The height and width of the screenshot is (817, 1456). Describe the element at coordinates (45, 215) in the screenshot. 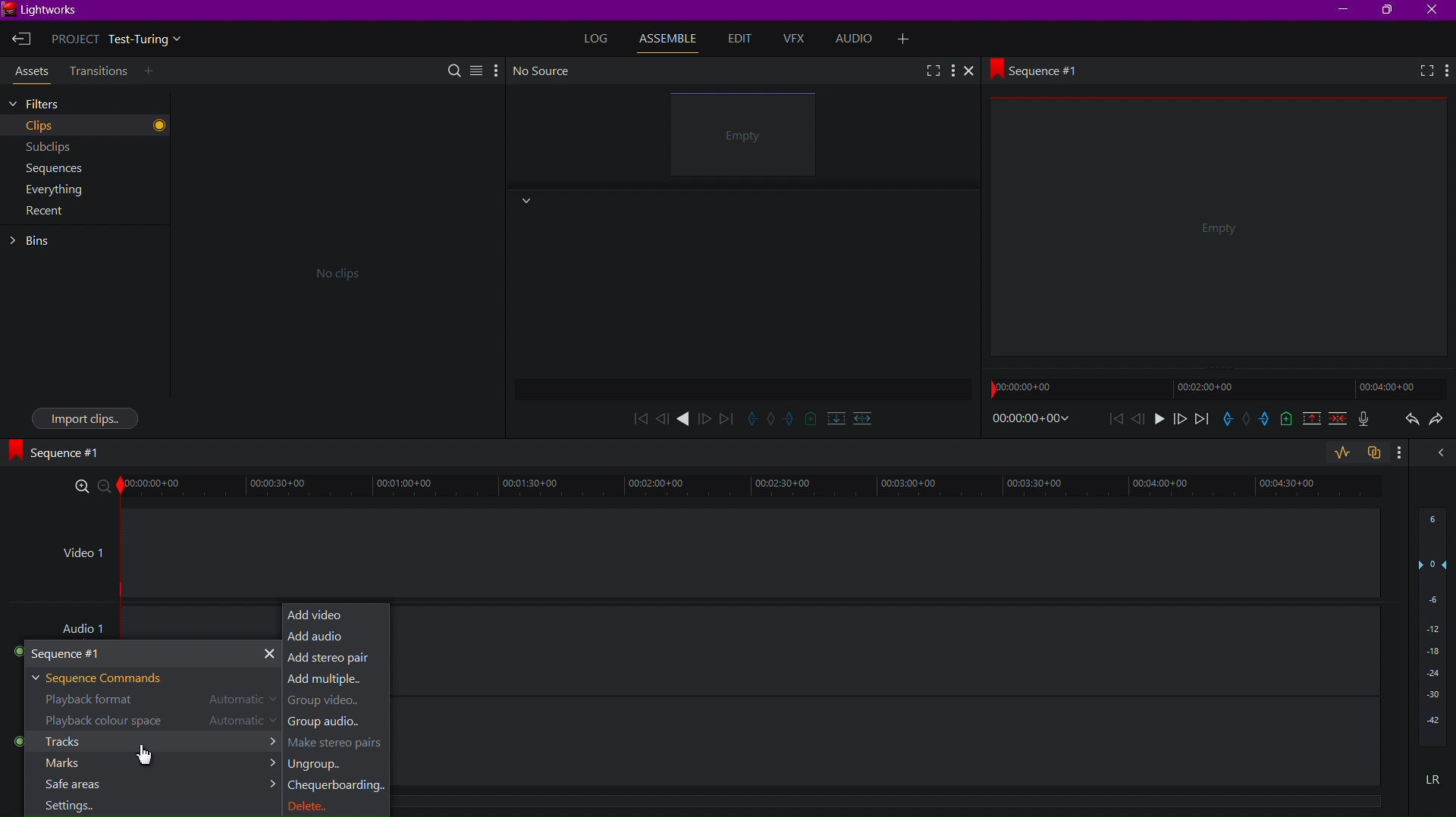

I see `Recent` at that location.